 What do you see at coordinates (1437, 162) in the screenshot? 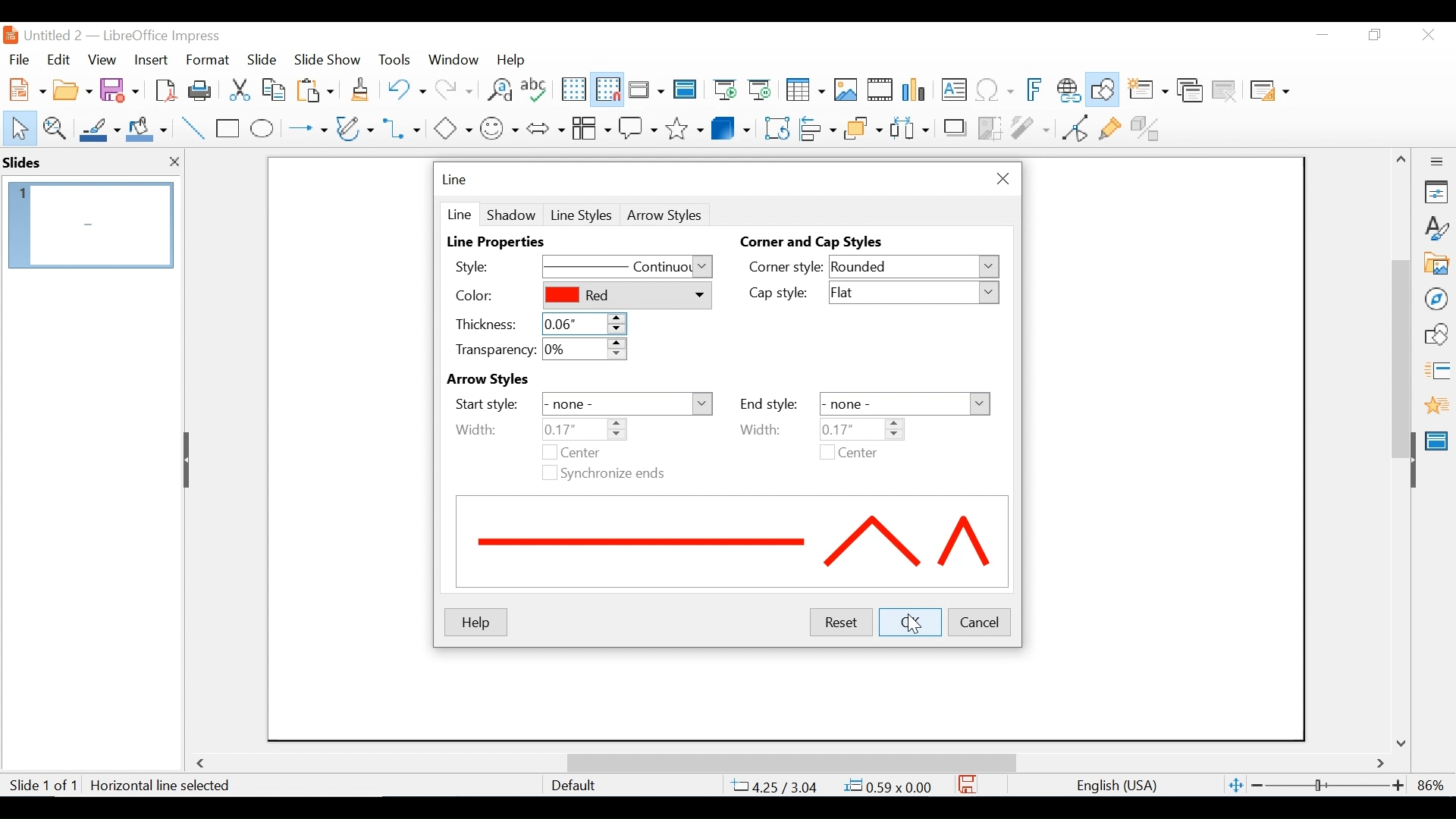
I see `Sidebar Settings` at bounding box center [1437, 162].